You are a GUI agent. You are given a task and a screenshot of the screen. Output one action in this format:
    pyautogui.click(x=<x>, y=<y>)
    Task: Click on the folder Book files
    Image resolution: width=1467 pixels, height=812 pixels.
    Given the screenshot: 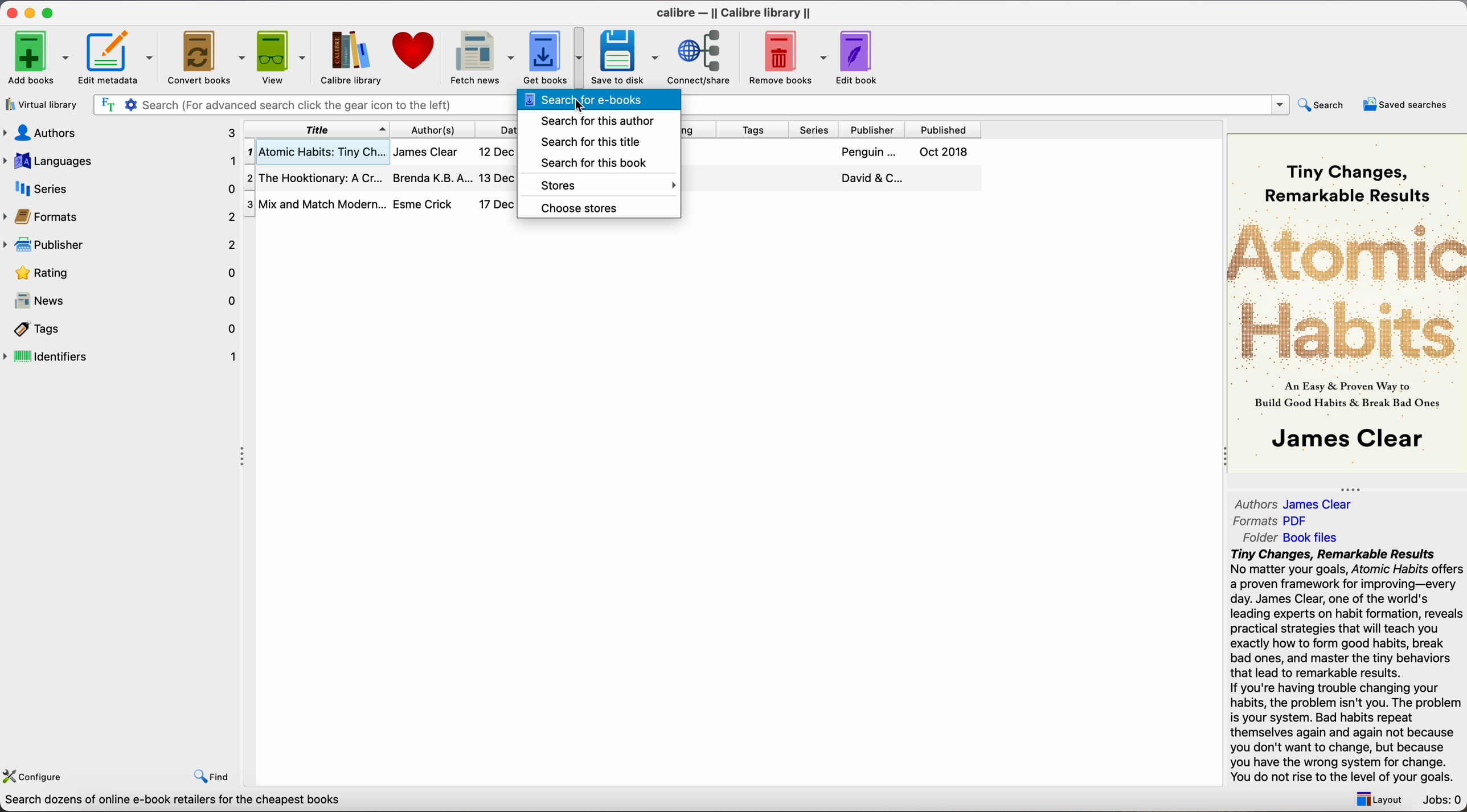 What is the action you would take?
    pyautogui.click(x=1292, y=537)
    